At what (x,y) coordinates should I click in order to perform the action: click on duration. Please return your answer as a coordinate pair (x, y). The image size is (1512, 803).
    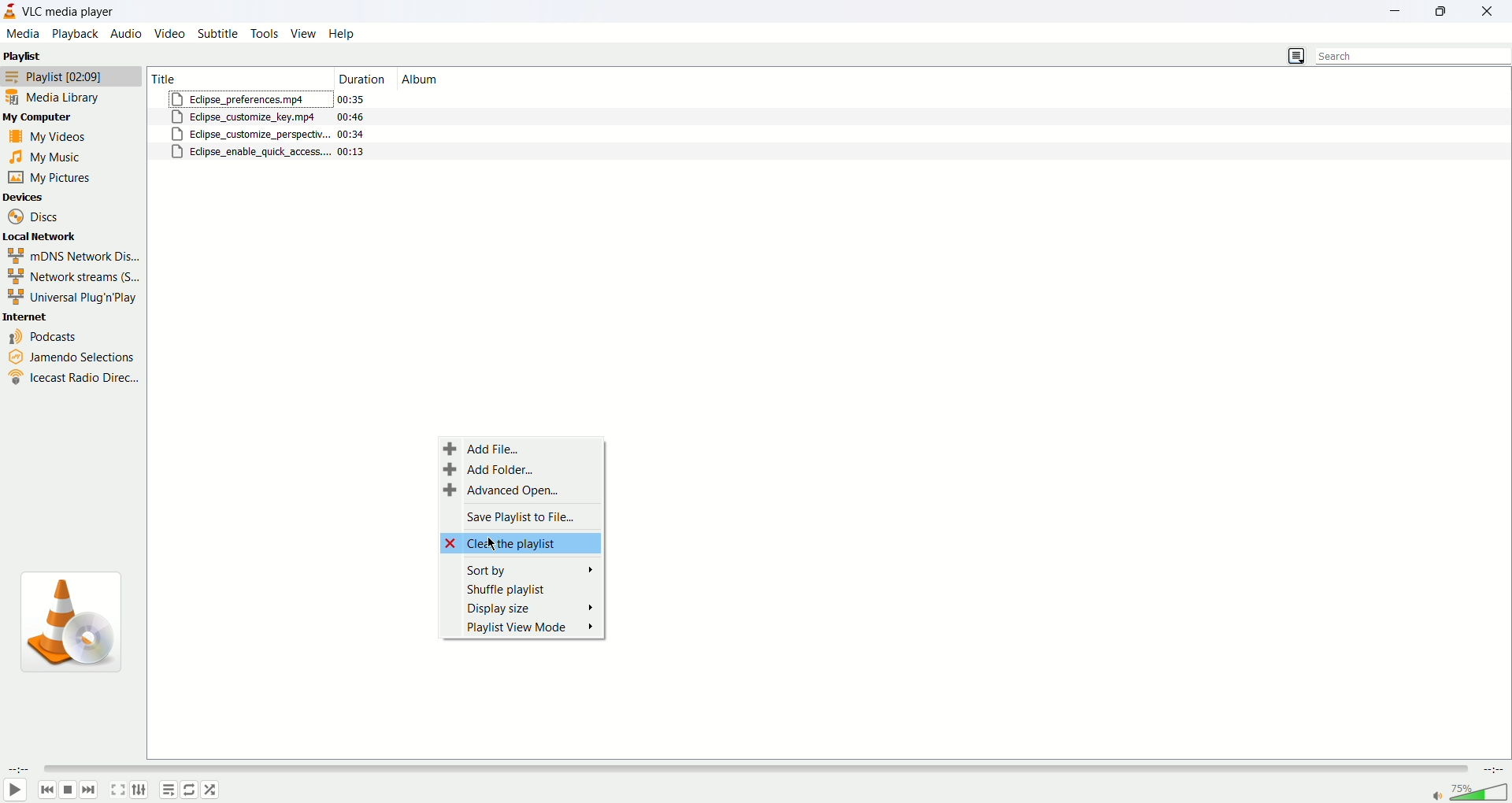
    Looking at the image, I should click on (360, 76).